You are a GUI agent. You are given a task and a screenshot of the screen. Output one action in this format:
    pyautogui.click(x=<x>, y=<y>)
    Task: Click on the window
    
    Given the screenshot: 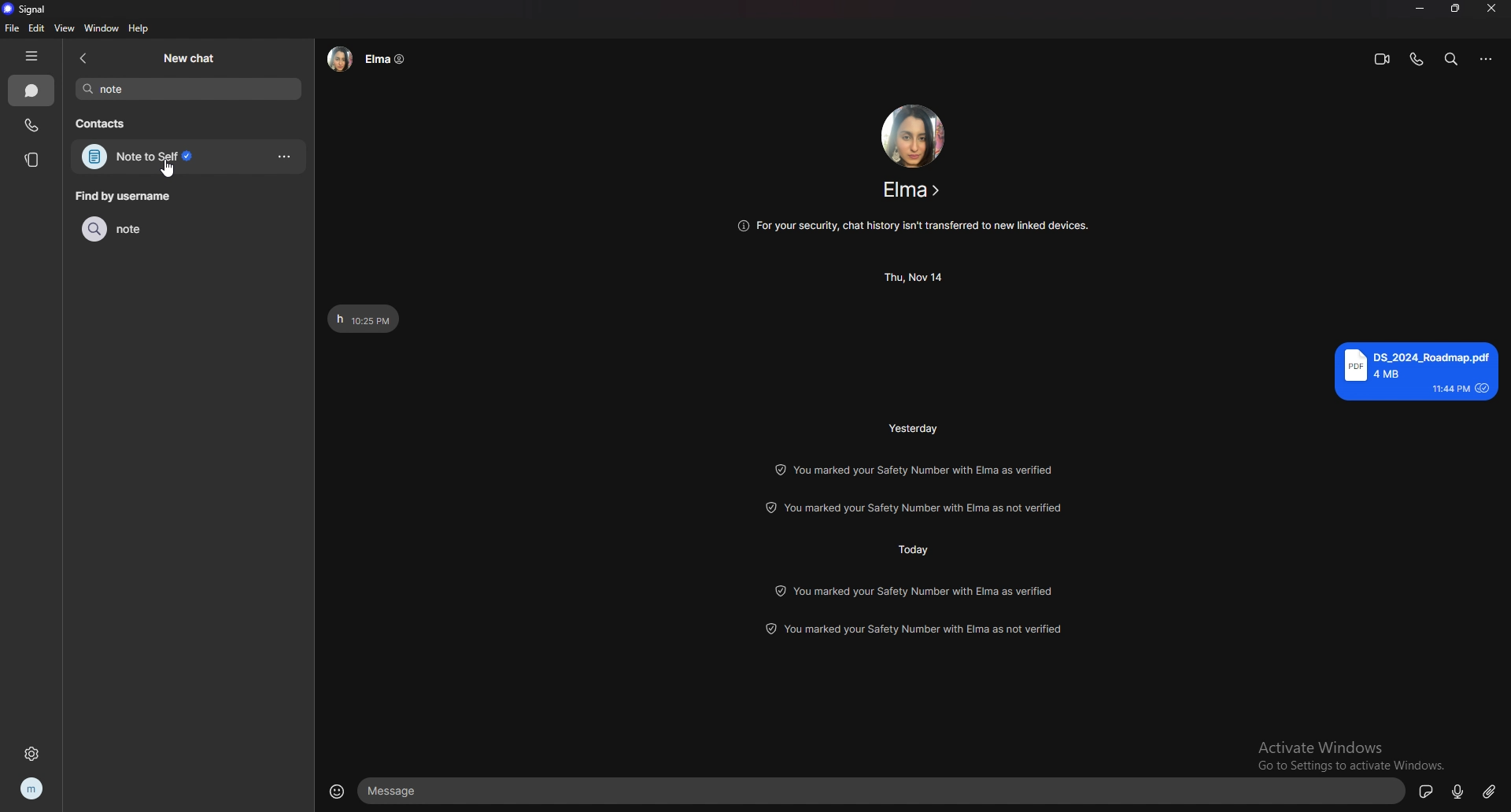 What is the action you would take?
    pyautogui.click(x=102, y=28)
    